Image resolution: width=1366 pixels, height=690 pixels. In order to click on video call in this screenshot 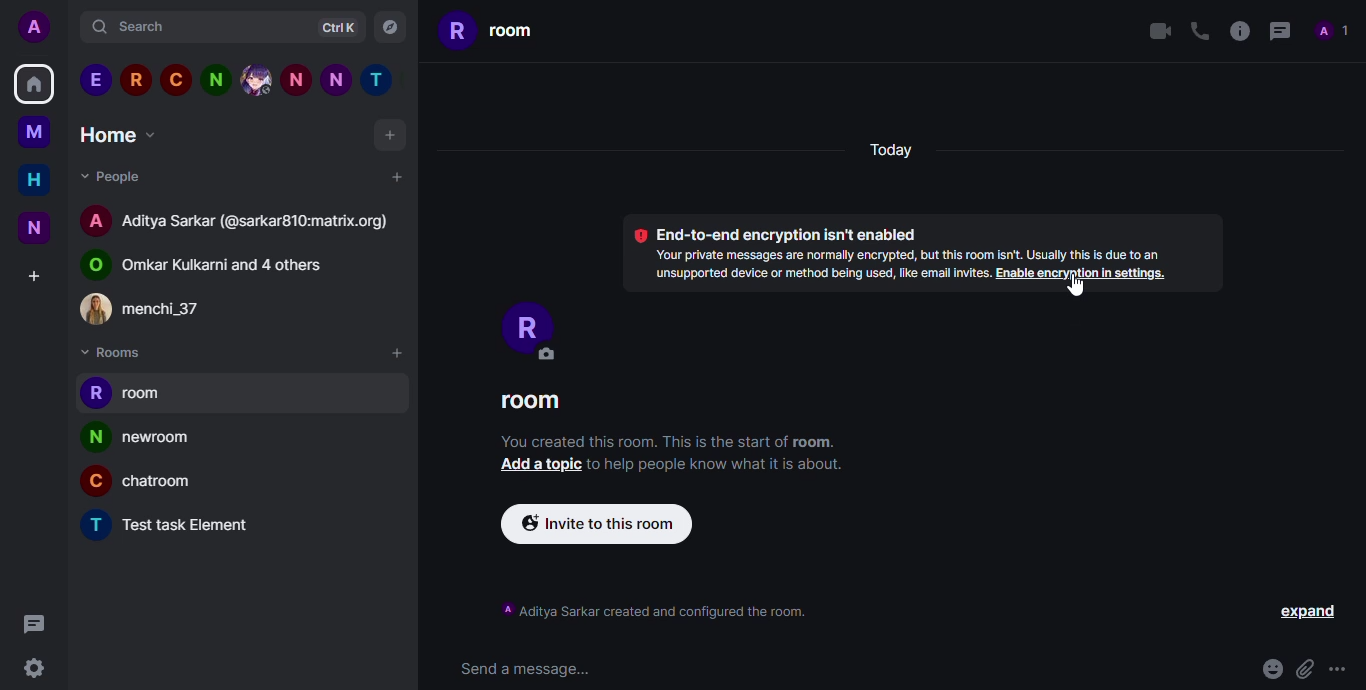, I will do `click(1154, 31)`.